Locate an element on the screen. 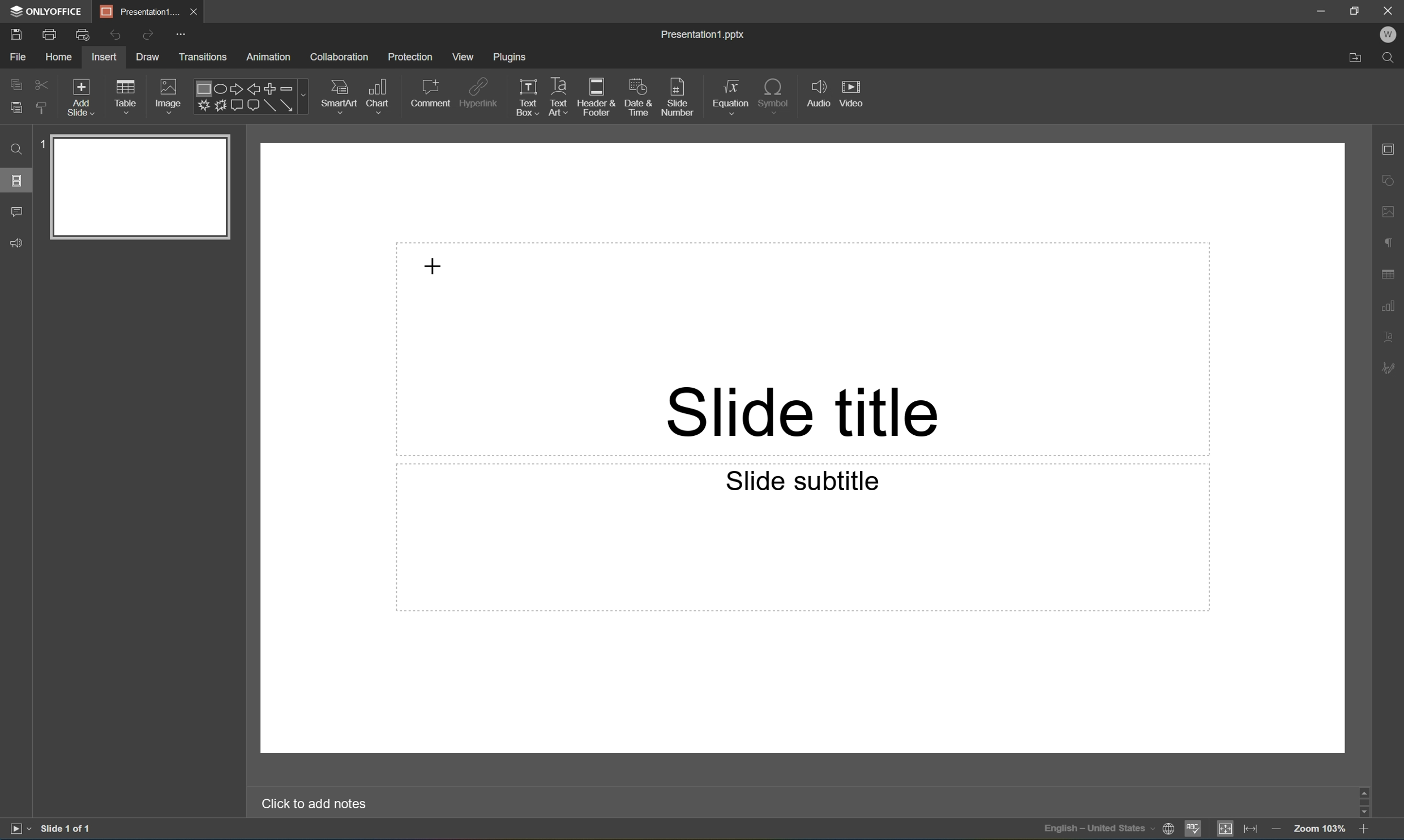 This screenshot has width=1404, height=840. Slide settings is located at coordinates (1393, 148).